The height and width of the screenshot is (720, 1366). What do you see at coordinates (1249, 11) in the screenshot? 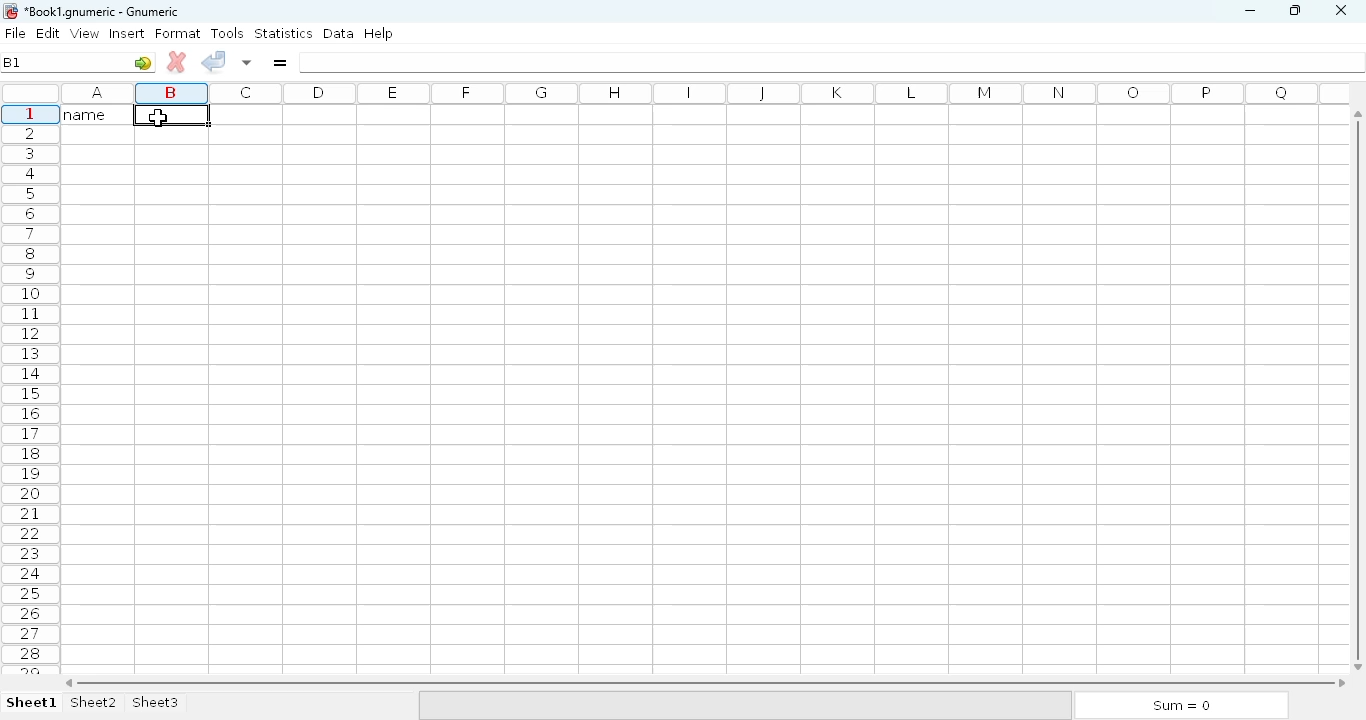
I see `minimize` at bounding box center [1249, 11].